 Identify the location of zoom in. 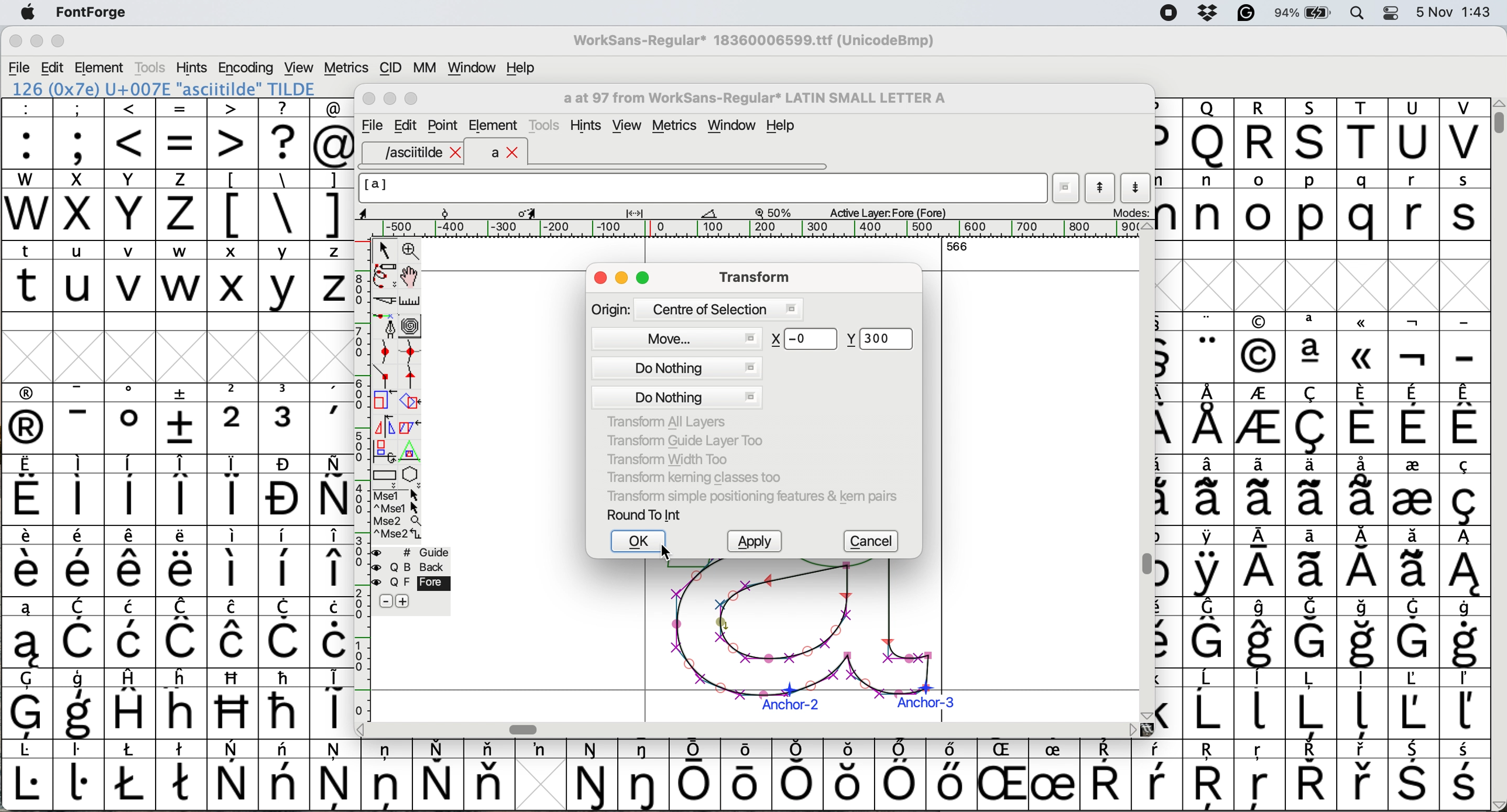
(413, 252).